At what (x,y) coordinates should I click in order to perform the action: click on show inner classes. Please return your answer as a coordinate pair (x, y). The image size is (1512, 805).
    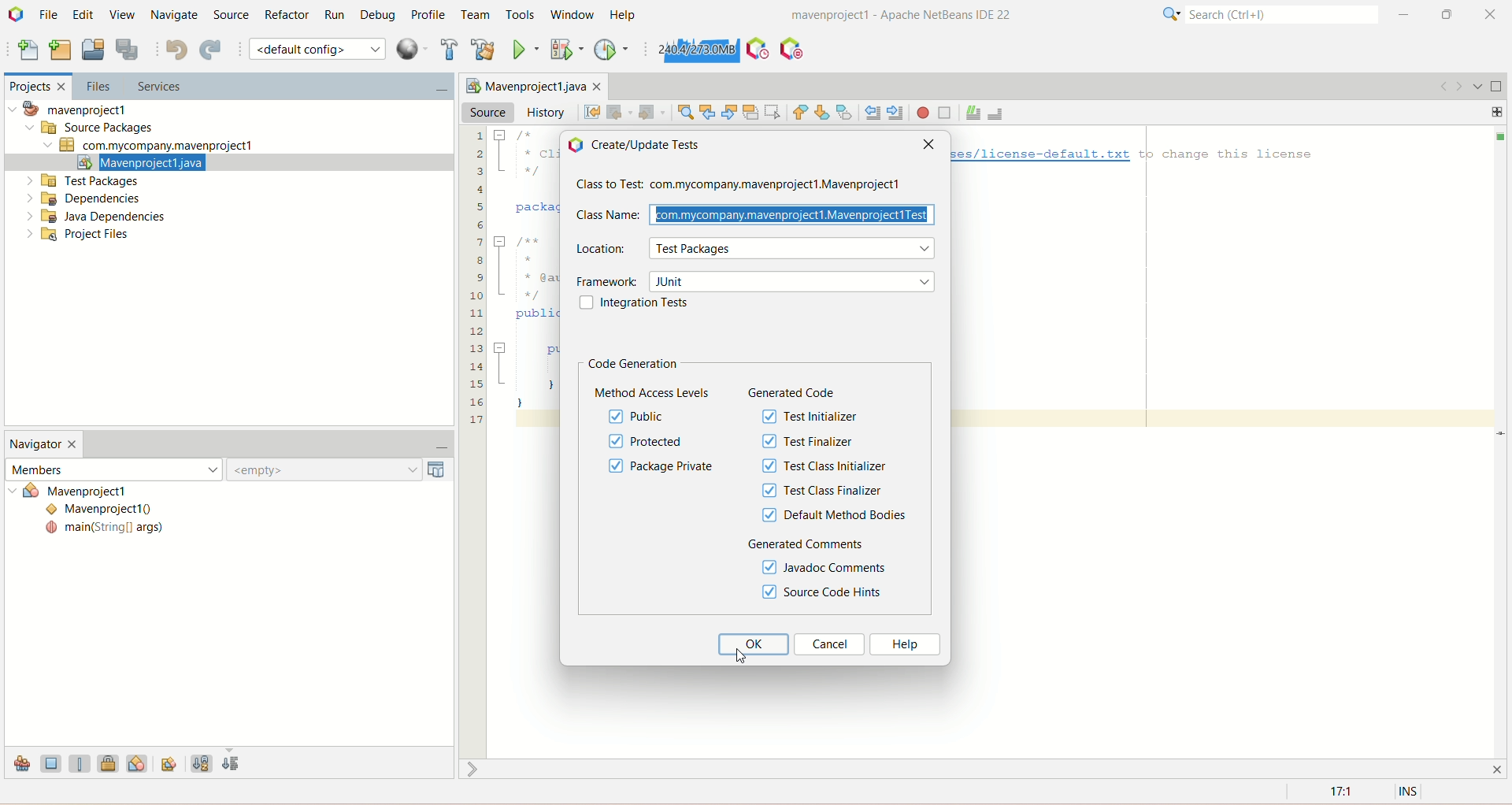
    Looking at the image, I should click on (138, 762).